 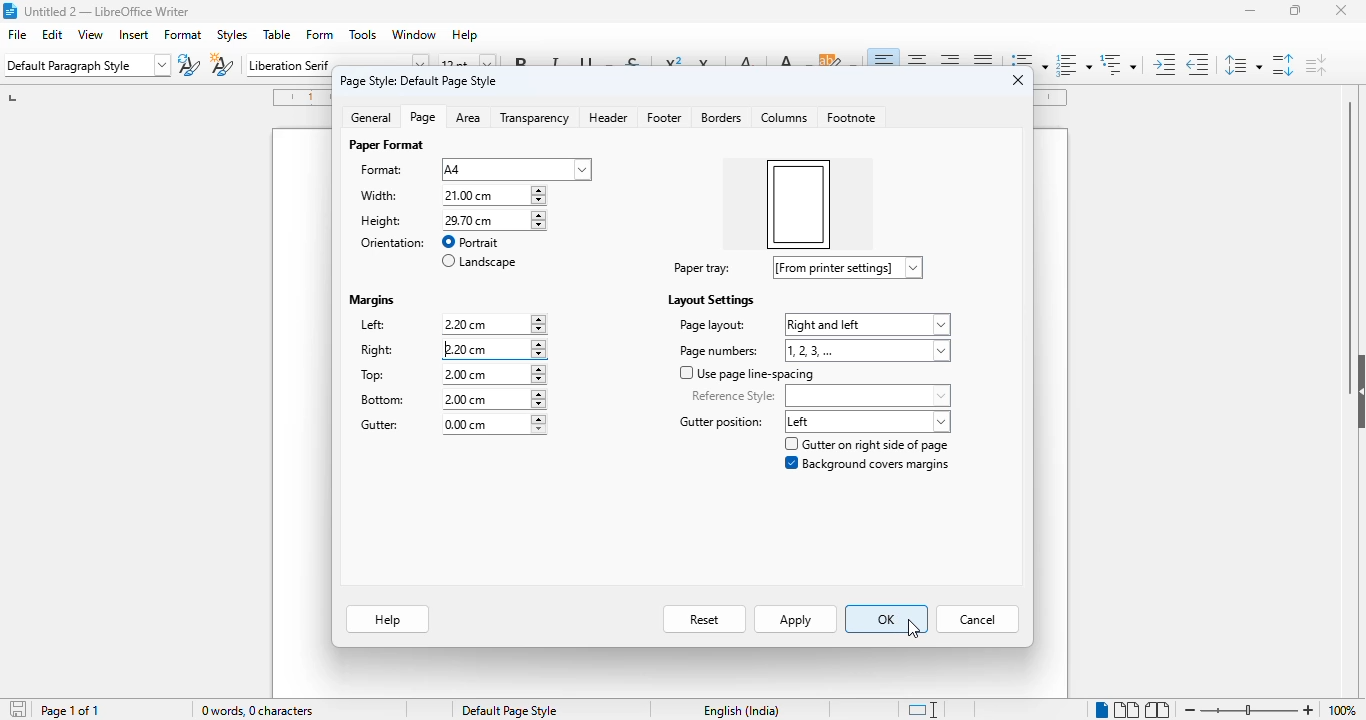 I want to click on insert, so click(x=134, y=34).